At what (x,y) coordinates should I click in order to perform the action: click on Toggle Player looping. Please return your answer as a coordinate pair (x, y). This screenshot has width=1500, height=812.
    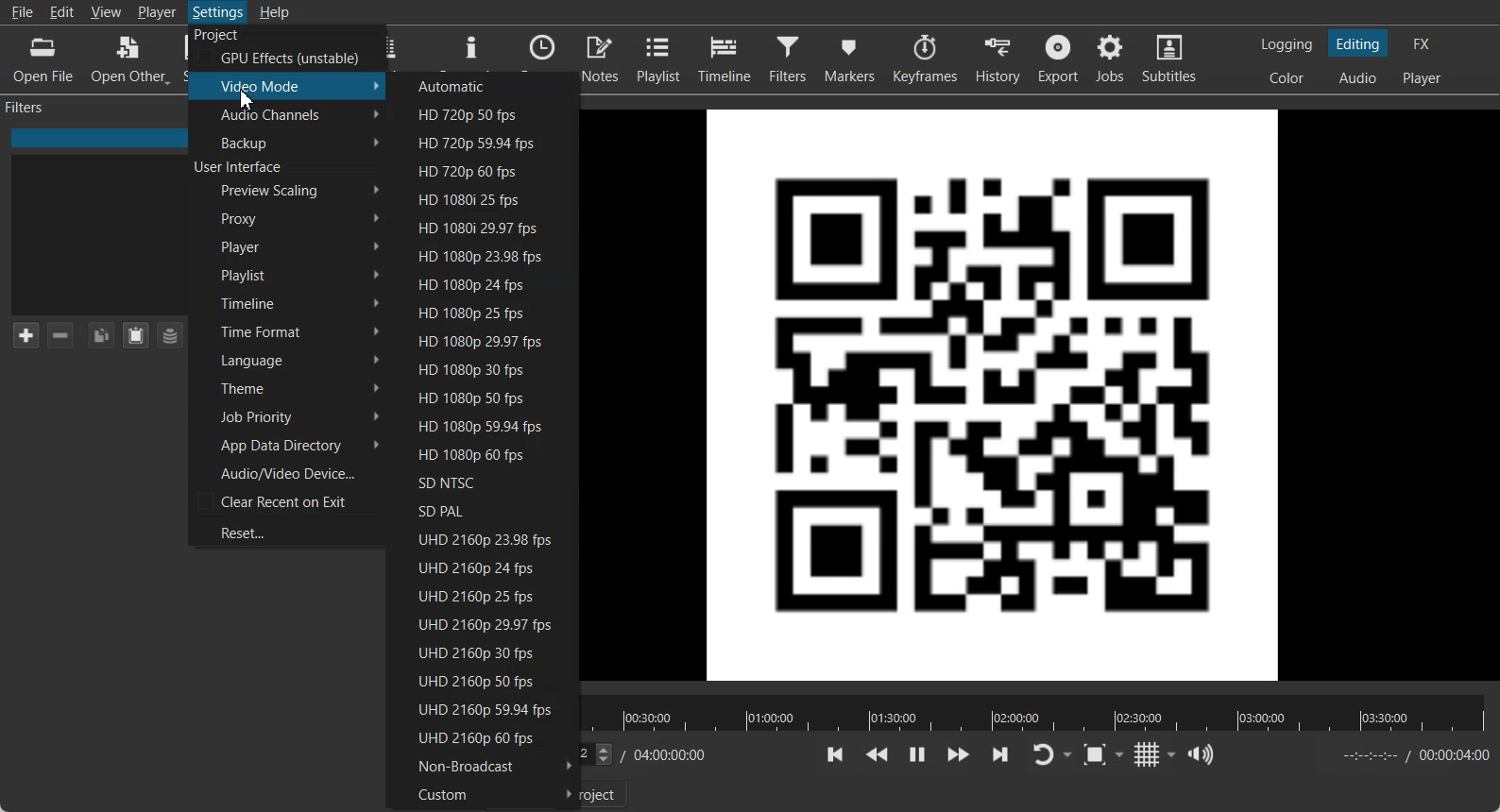
    Looking at the image, I should click on (1051, 755).